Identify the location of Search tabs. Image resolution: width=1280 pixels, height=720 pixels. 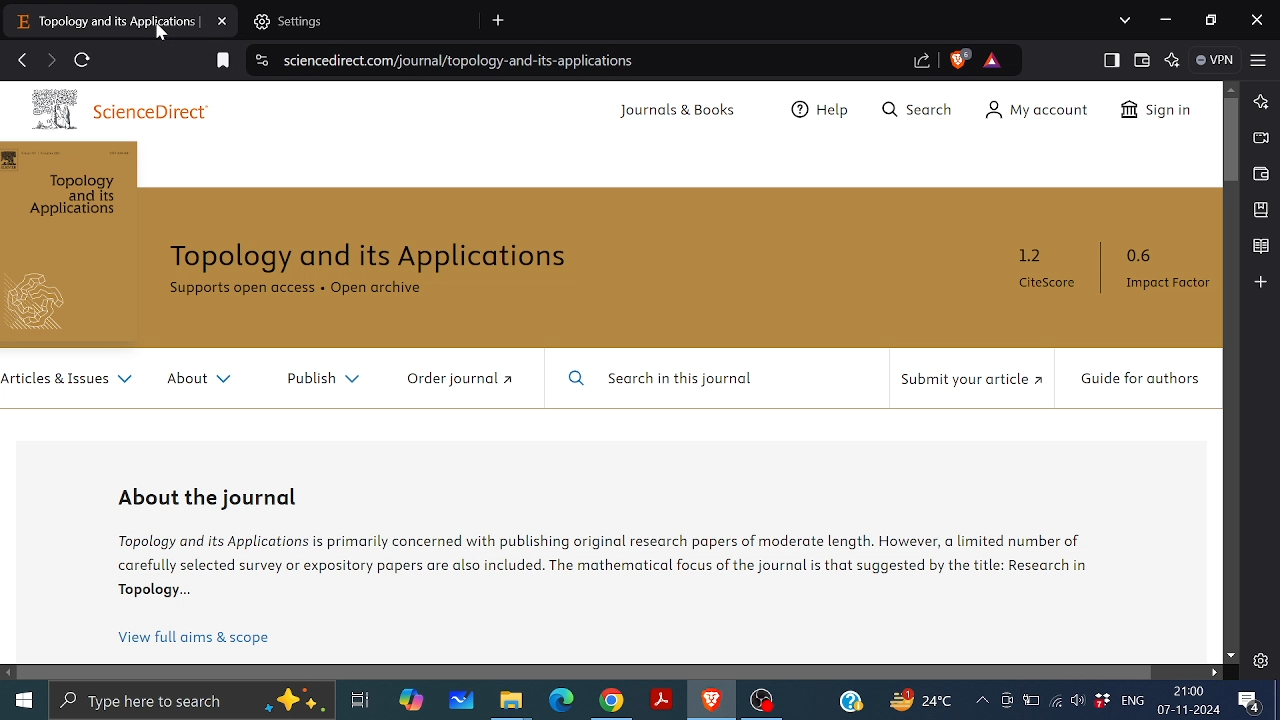
(500, 20).